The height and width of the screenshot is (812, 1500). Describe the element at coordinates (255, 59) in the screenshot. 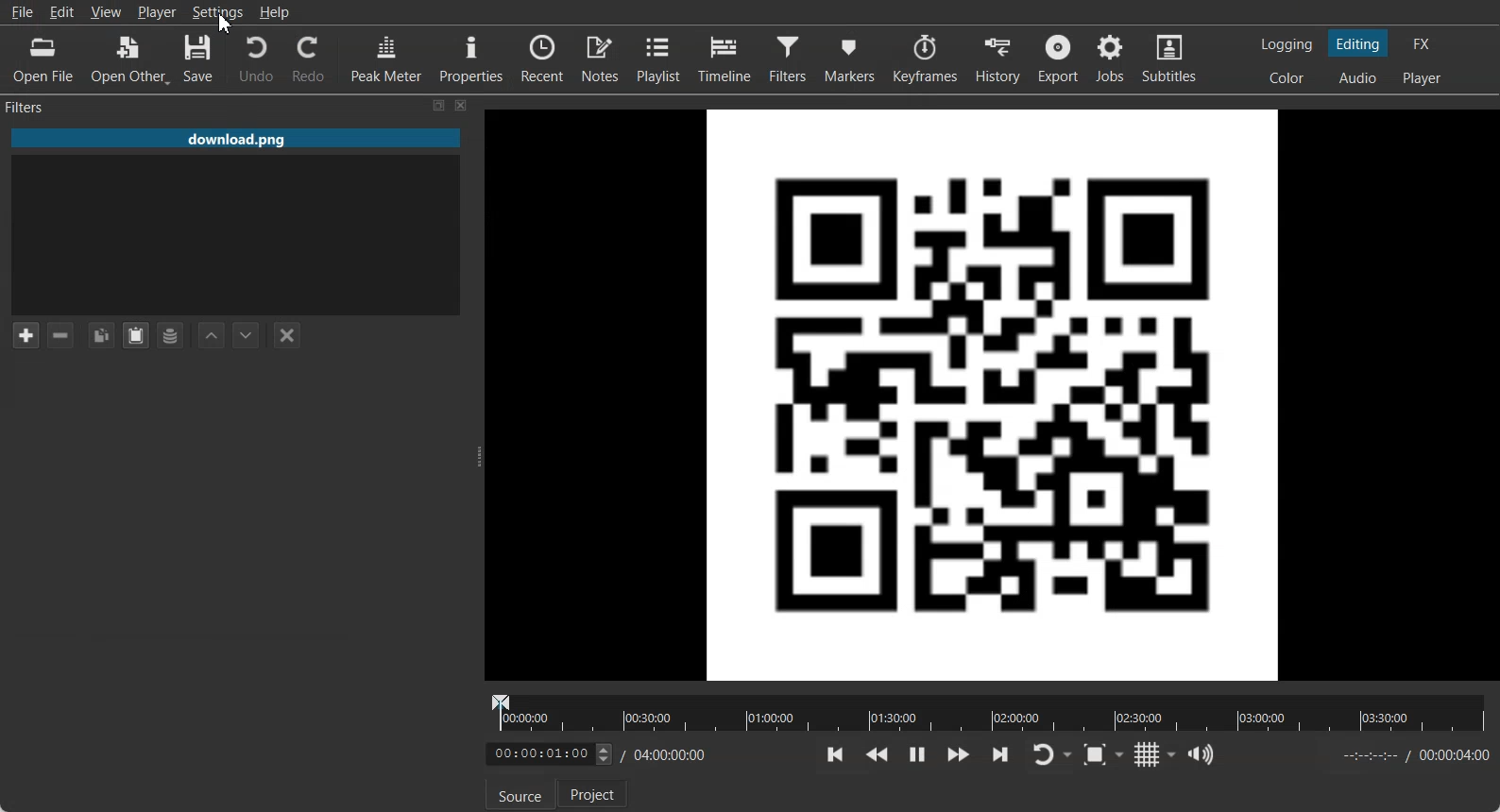

I see `Undo` at that location.